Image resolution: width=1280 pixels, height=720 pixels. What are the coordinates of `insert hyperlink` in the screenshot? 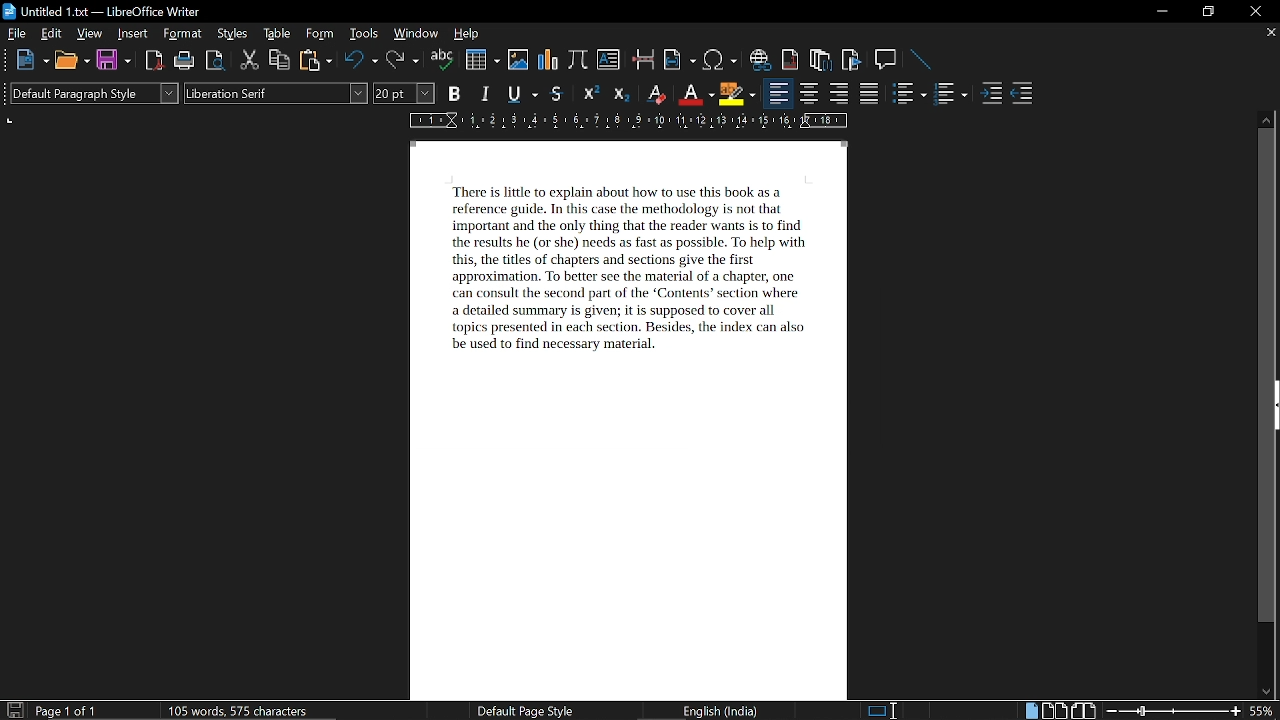 It's located at (761, 60).